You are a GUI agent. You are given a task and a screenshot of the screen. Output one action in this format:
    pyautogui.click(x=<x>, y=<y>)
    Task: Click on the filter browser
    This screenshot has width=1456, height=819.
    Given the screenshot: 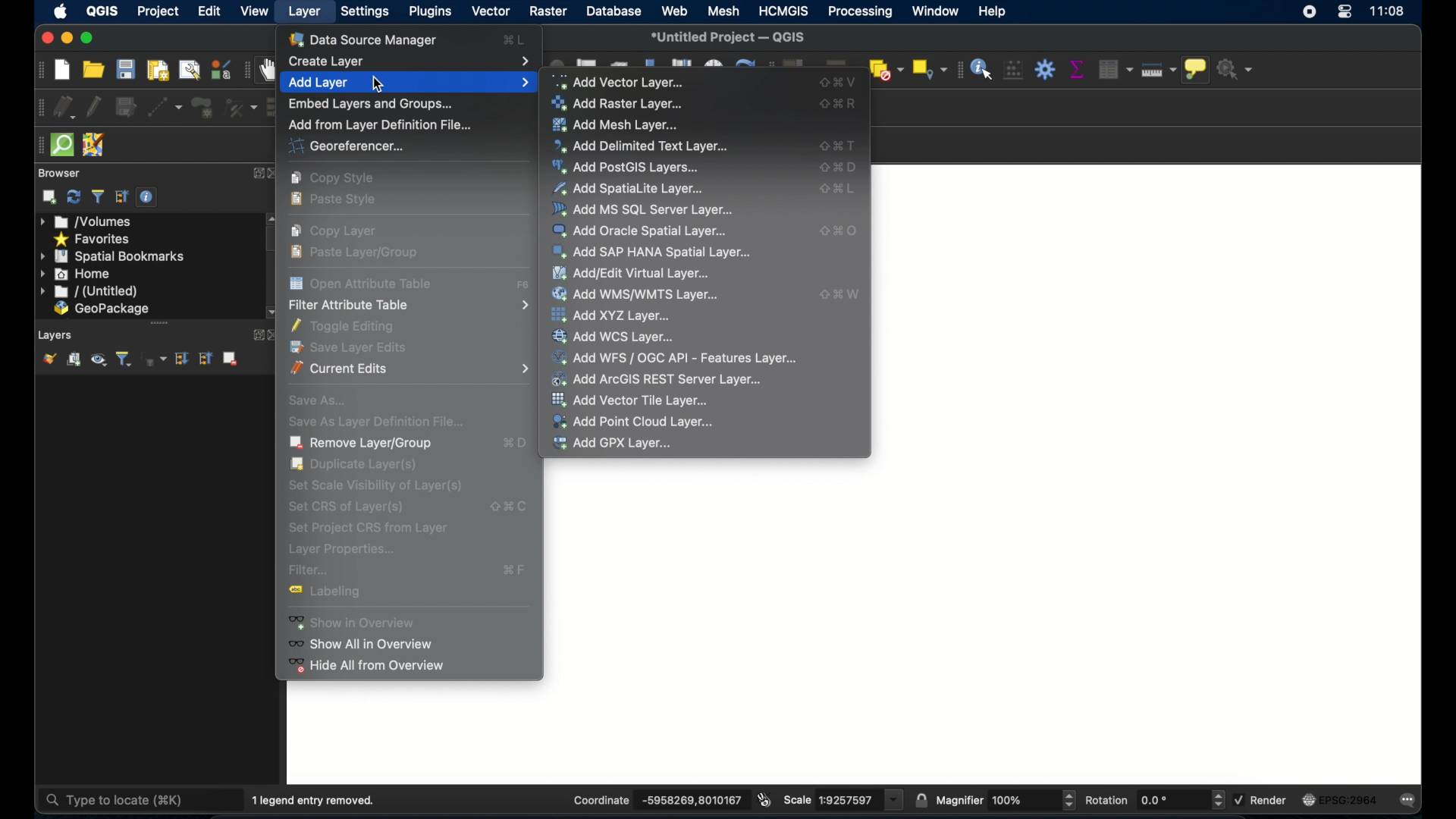 What is the action you would take?
    pyautogui.click(x=98, y=196)
    